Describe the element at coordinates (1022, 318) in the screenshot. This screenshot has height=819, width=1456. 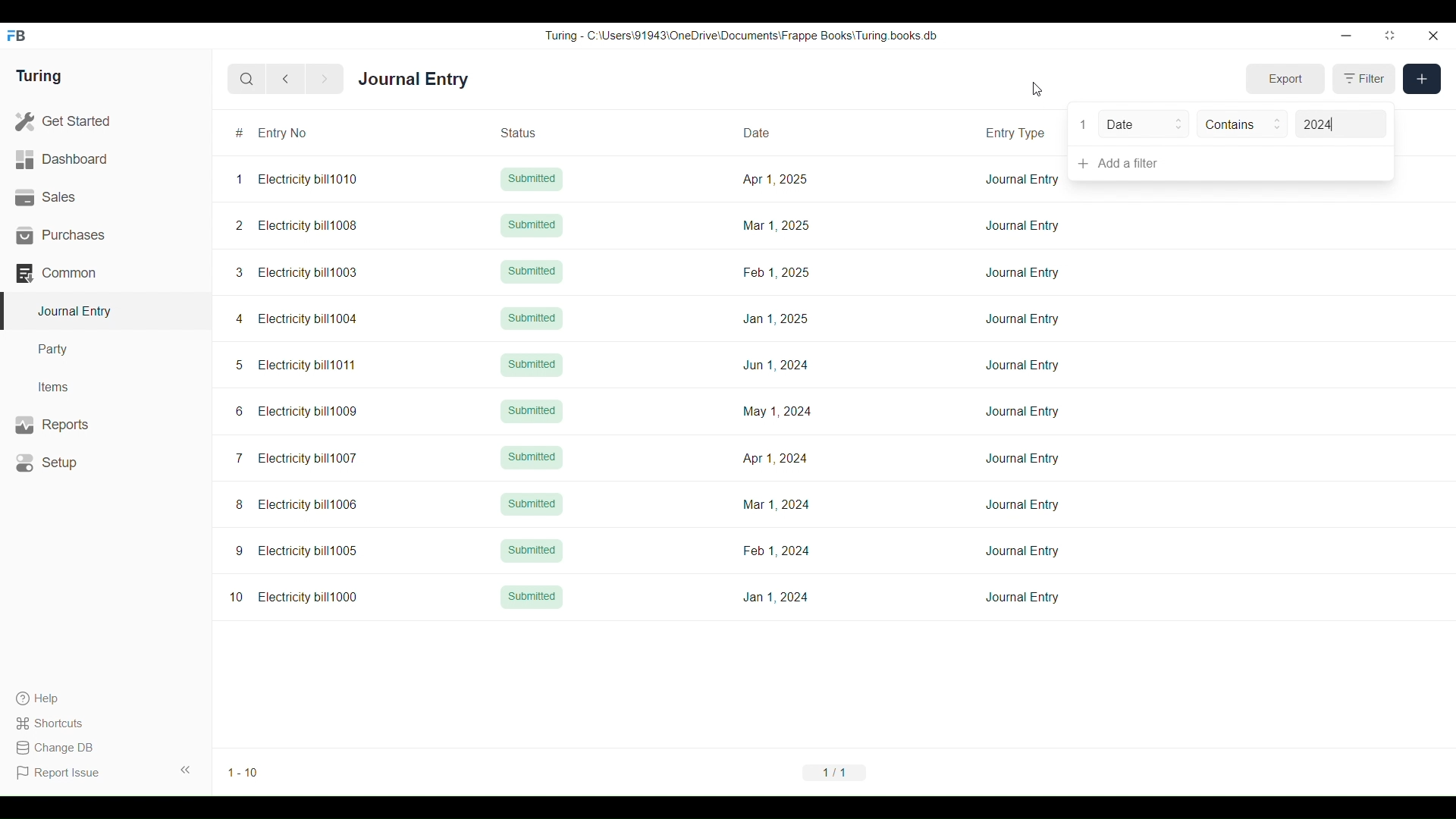
I see `Journal Entry` at that location.